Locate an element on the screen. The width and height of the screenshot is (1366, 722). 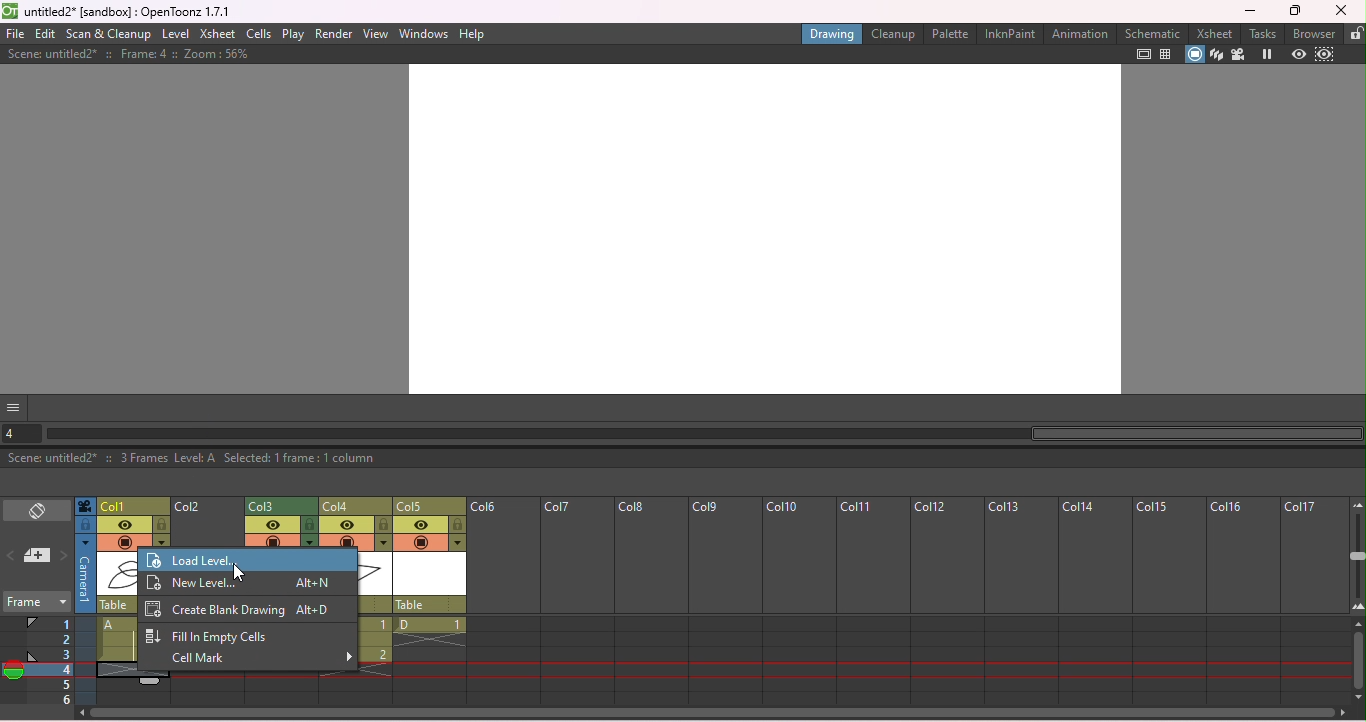
Preview is located at coordinates (1298, 55).